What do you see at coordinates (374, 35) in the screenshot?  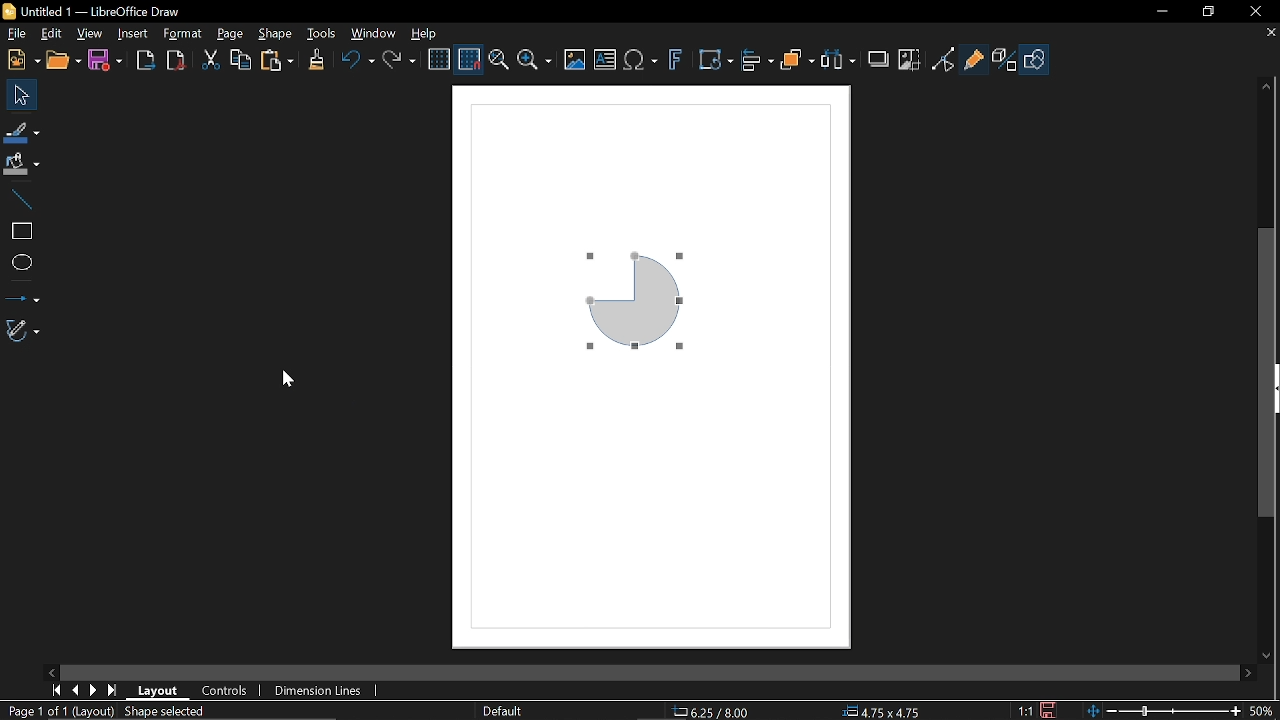 I see `Window` at bounding box center [374, 35].